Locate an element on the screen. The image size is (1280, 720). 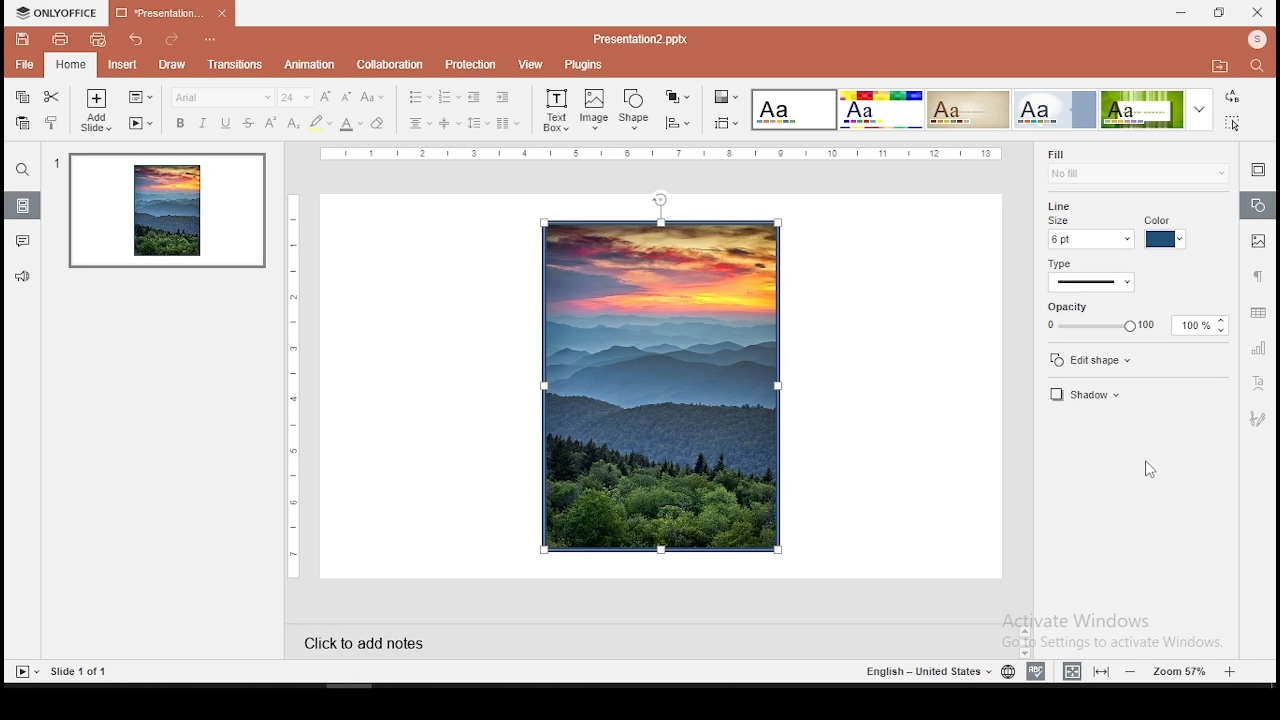
view is located at coordinates (532, 66).